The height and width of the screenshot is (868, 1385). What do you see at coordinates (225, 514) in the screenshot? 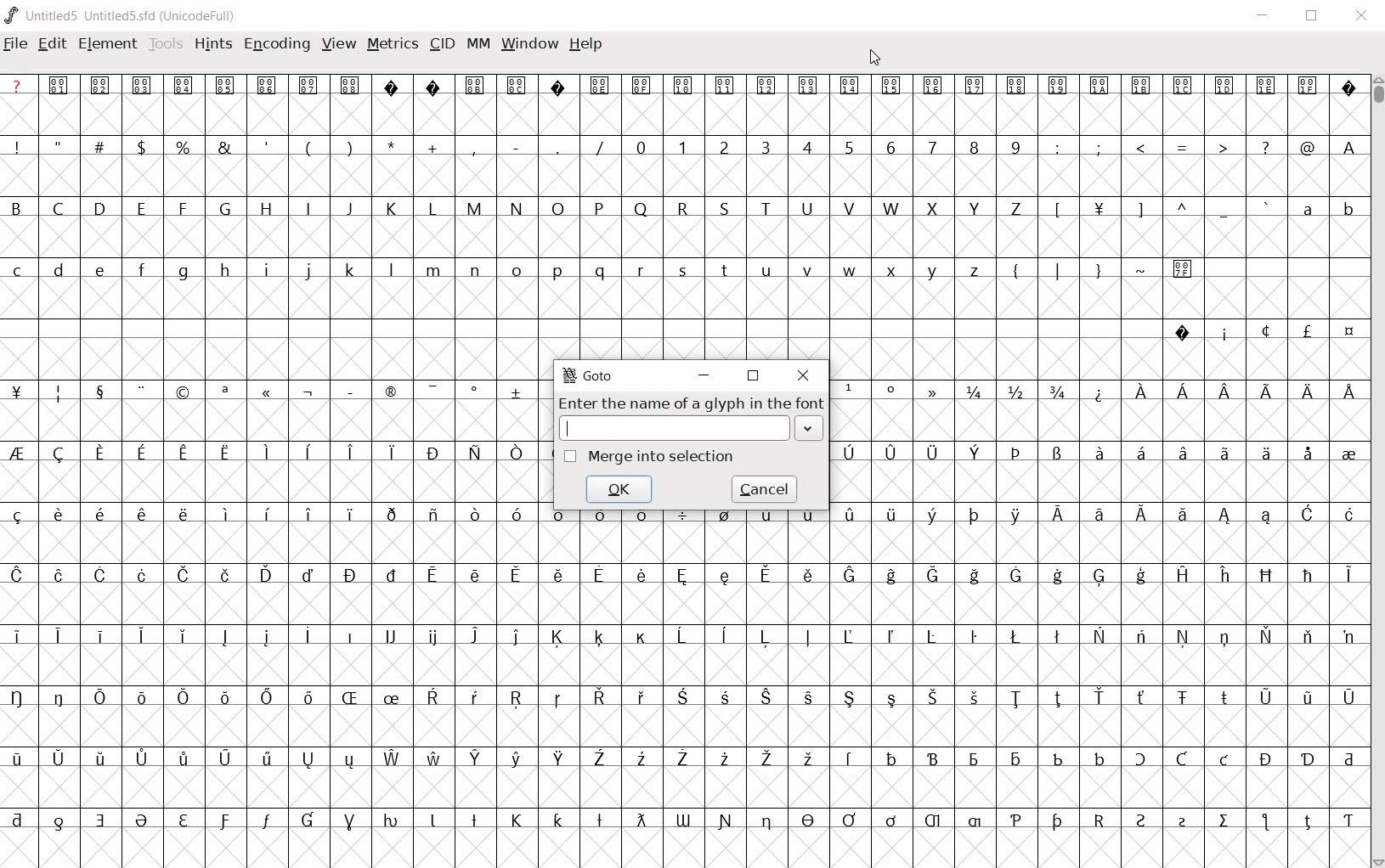
I see `Symbol` at bounding box center [225, 514].